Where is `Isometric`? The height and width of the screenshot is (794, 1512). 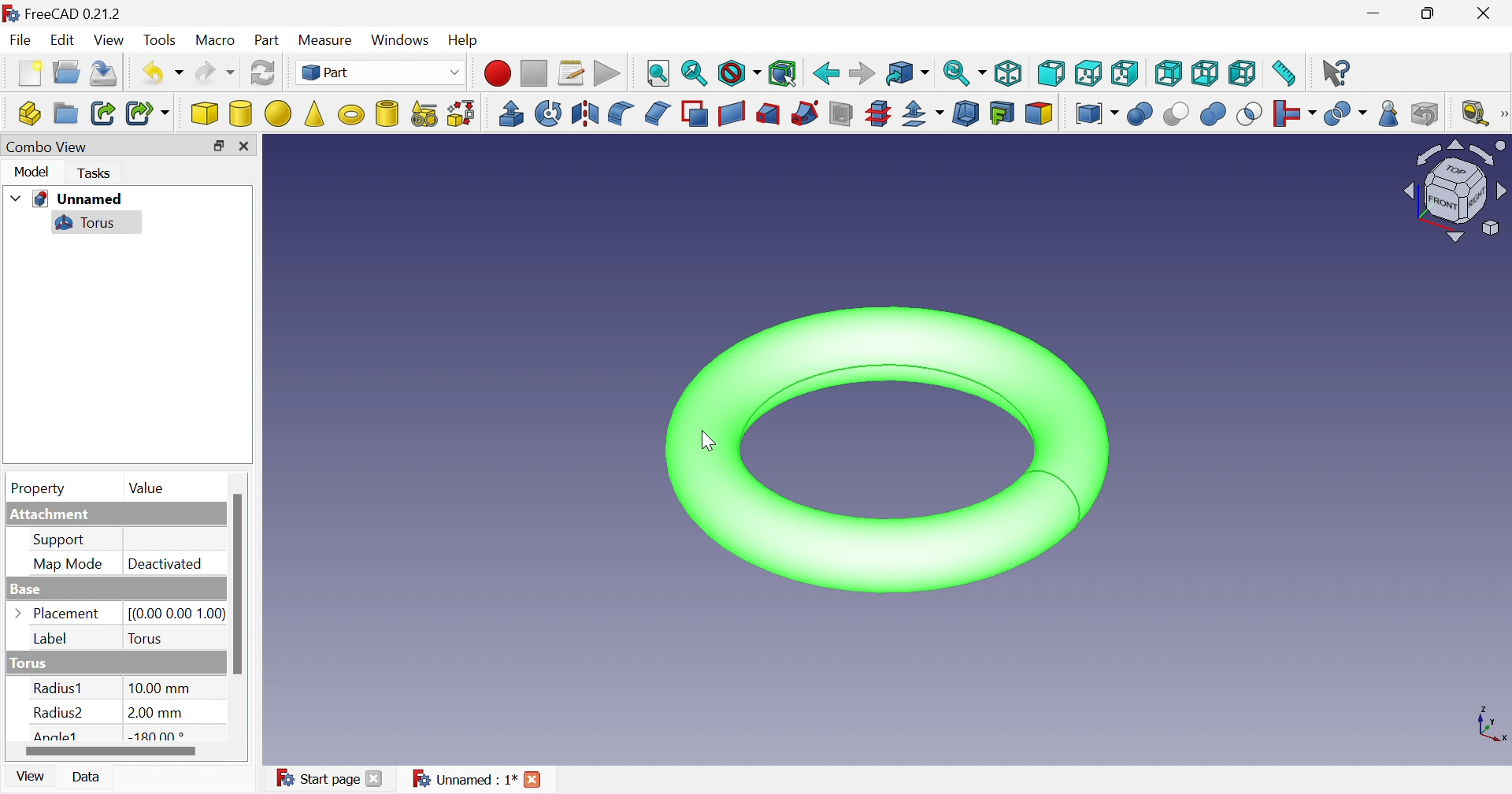
Isometric is located at coordinates (1010, 76).